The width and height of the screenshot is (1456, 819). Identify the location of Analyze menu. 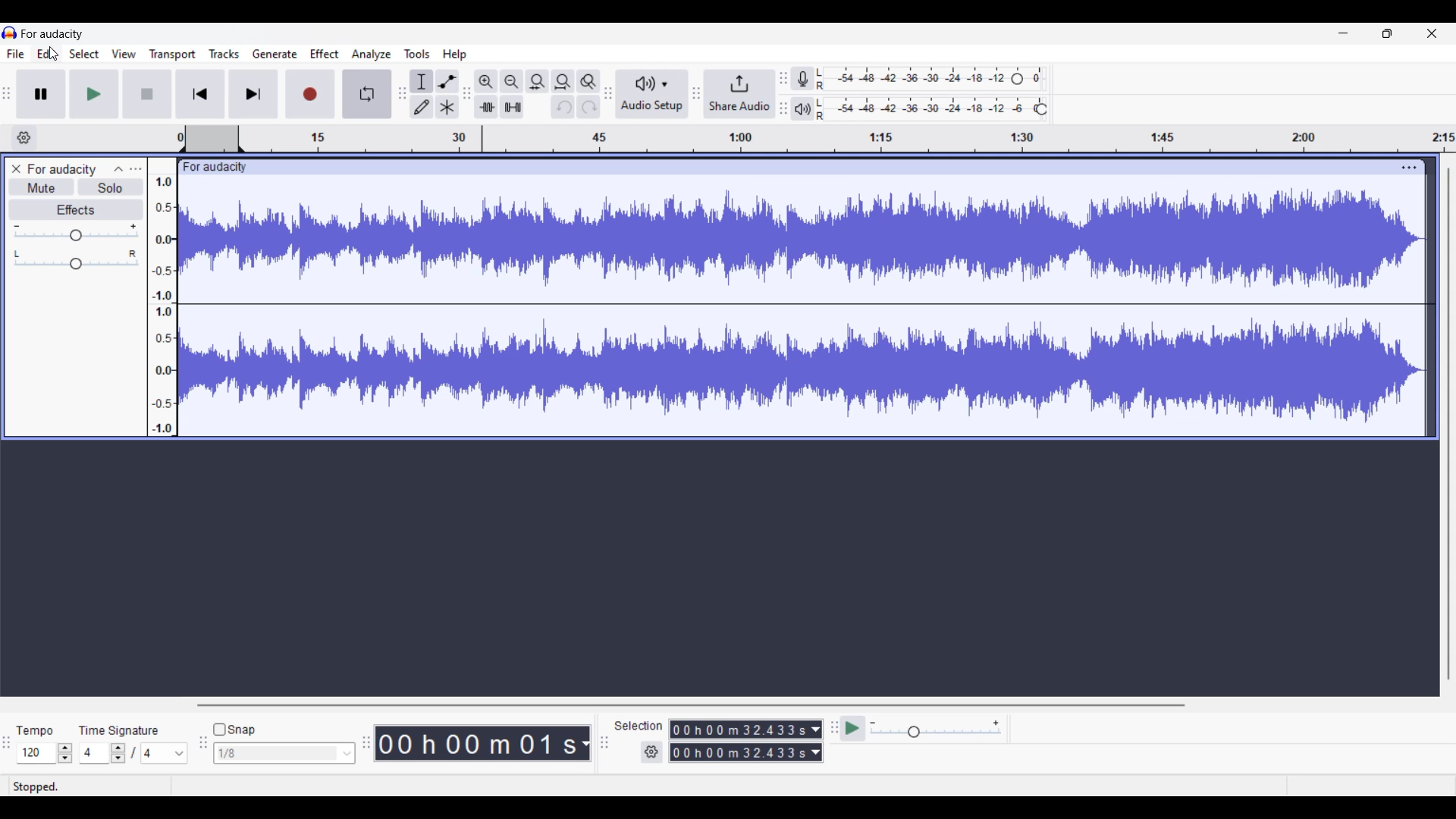
(372, 55).